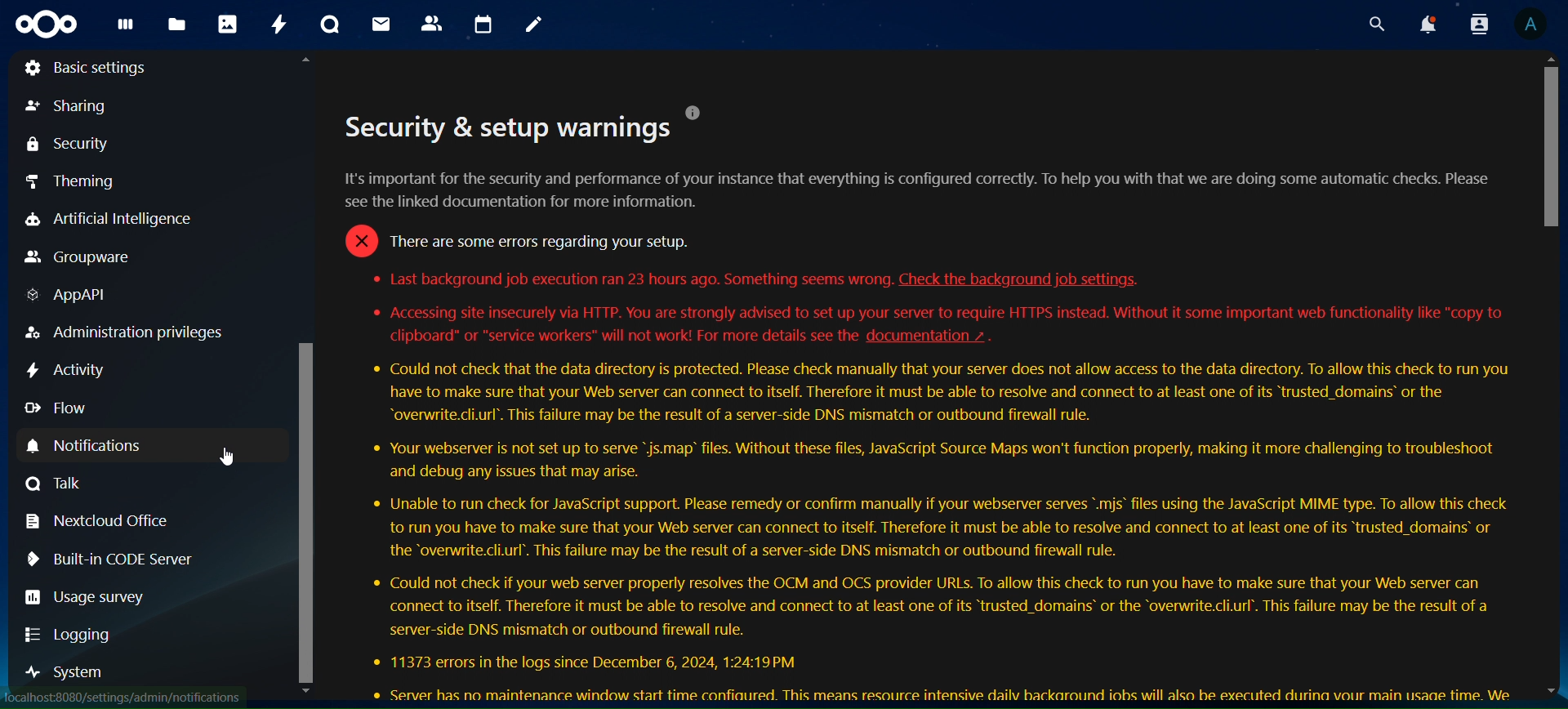 Image resolution: width=1568 pixels, height=709 pixels. Describe the element at coordinates (103, 445) in the screenshot. I see `notifications` at that location.